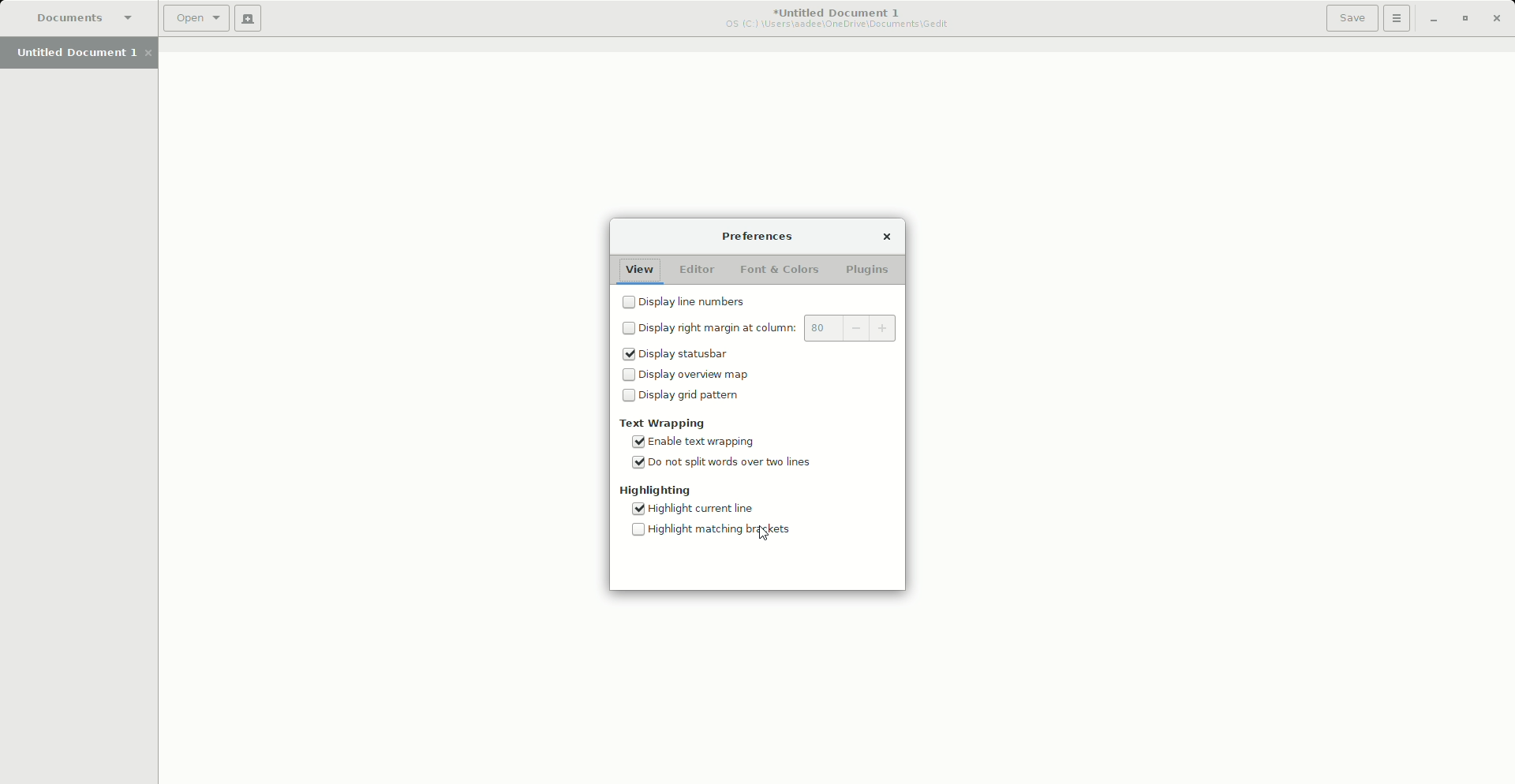 This screenshot has height=784, width=1515. What do you see at coordinates (705, 329) in the screenshot?
I see `Right margin at column` at bounding box center [705, 329].